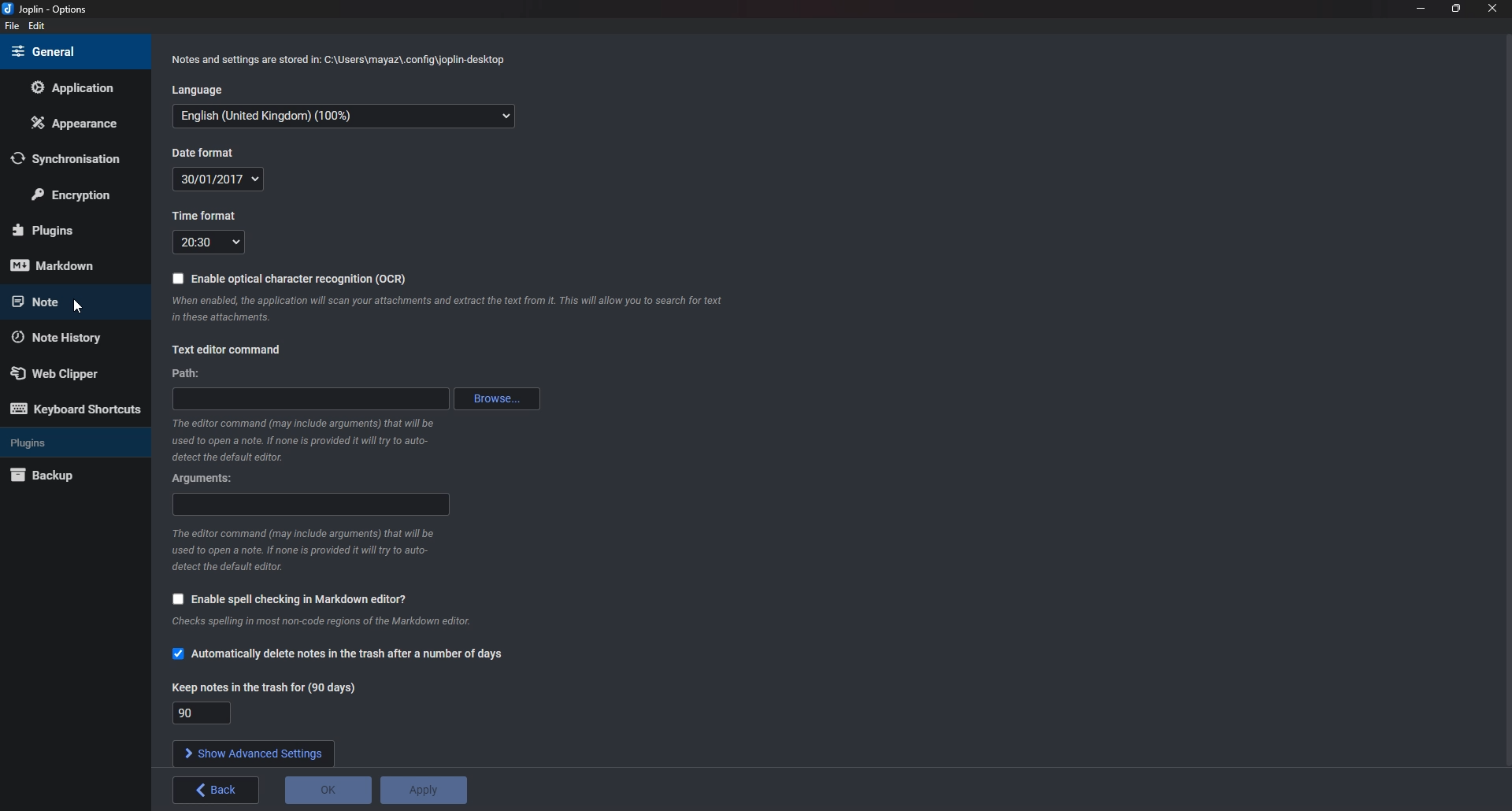  Describe the element at coordinates (77, 407) in the screenshot. I see `Keyboard shortcuts` at that location.